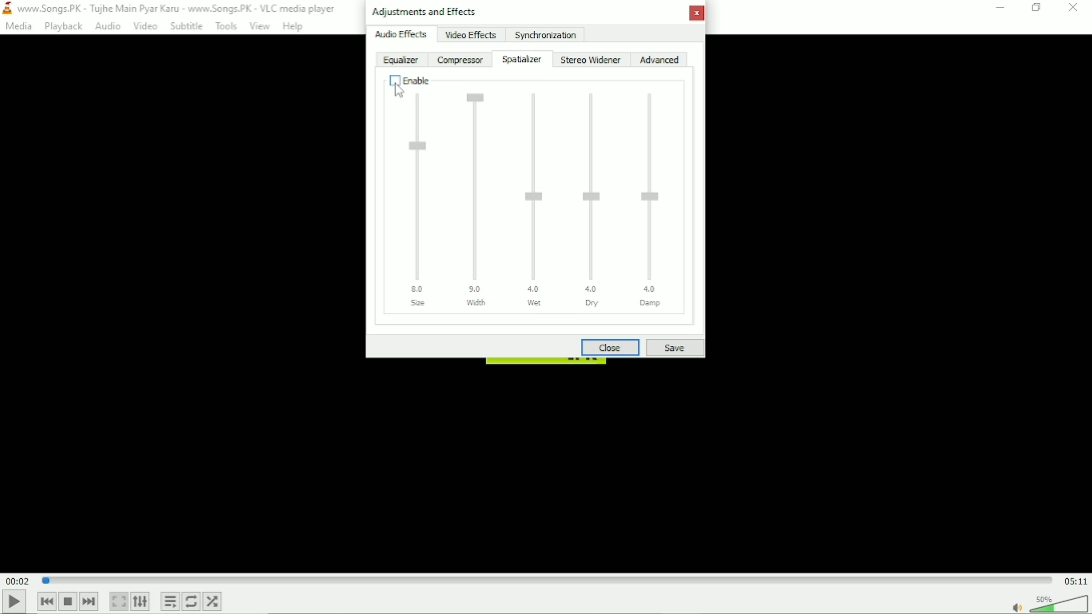 The height and width of the screenshot is (614, 1092). Describe the element at coordinates (401, 94) in the screenshot. I see `Cursor` at that location.